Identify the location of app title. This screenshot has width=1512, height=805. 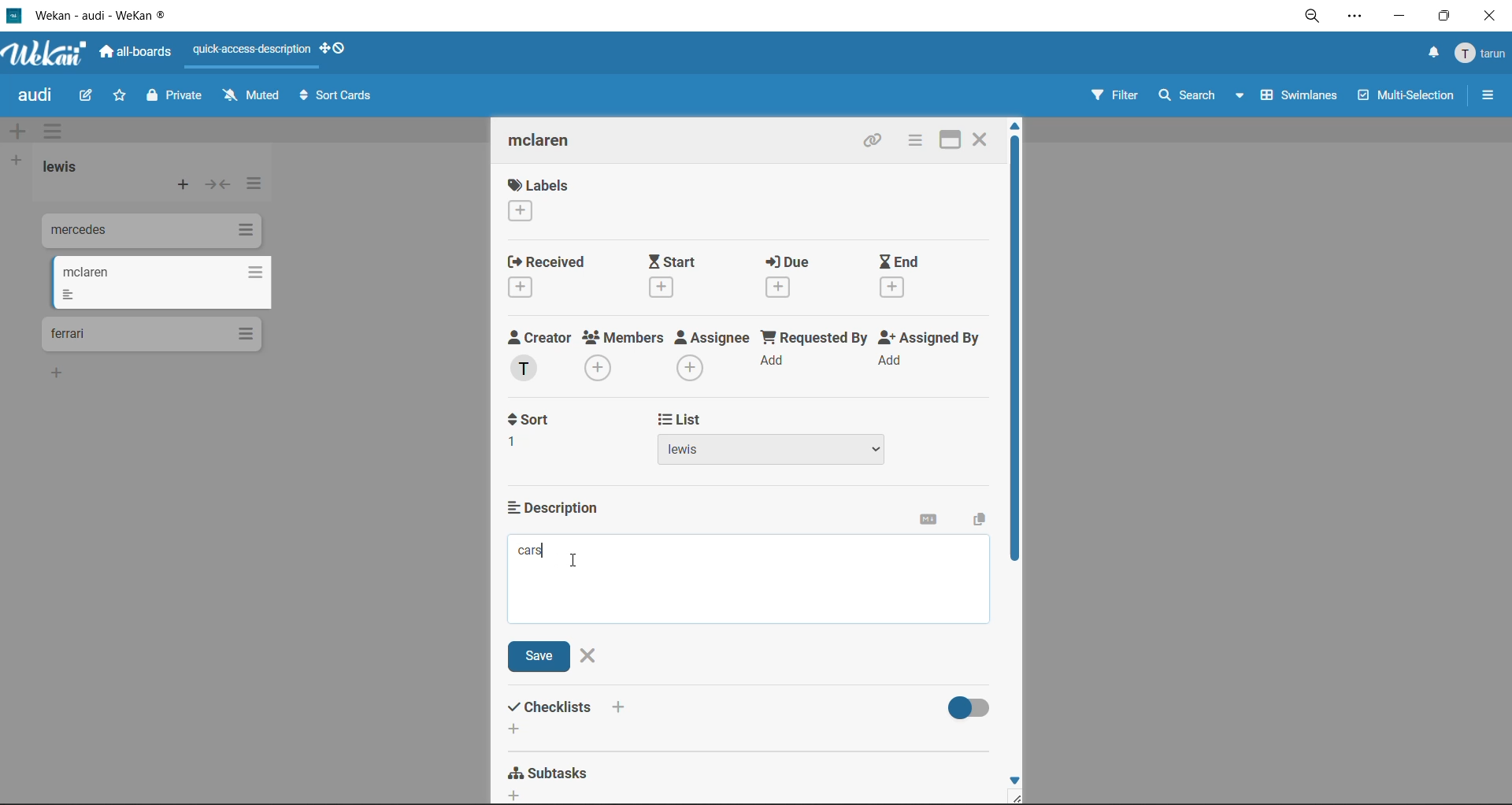
(91, 15).